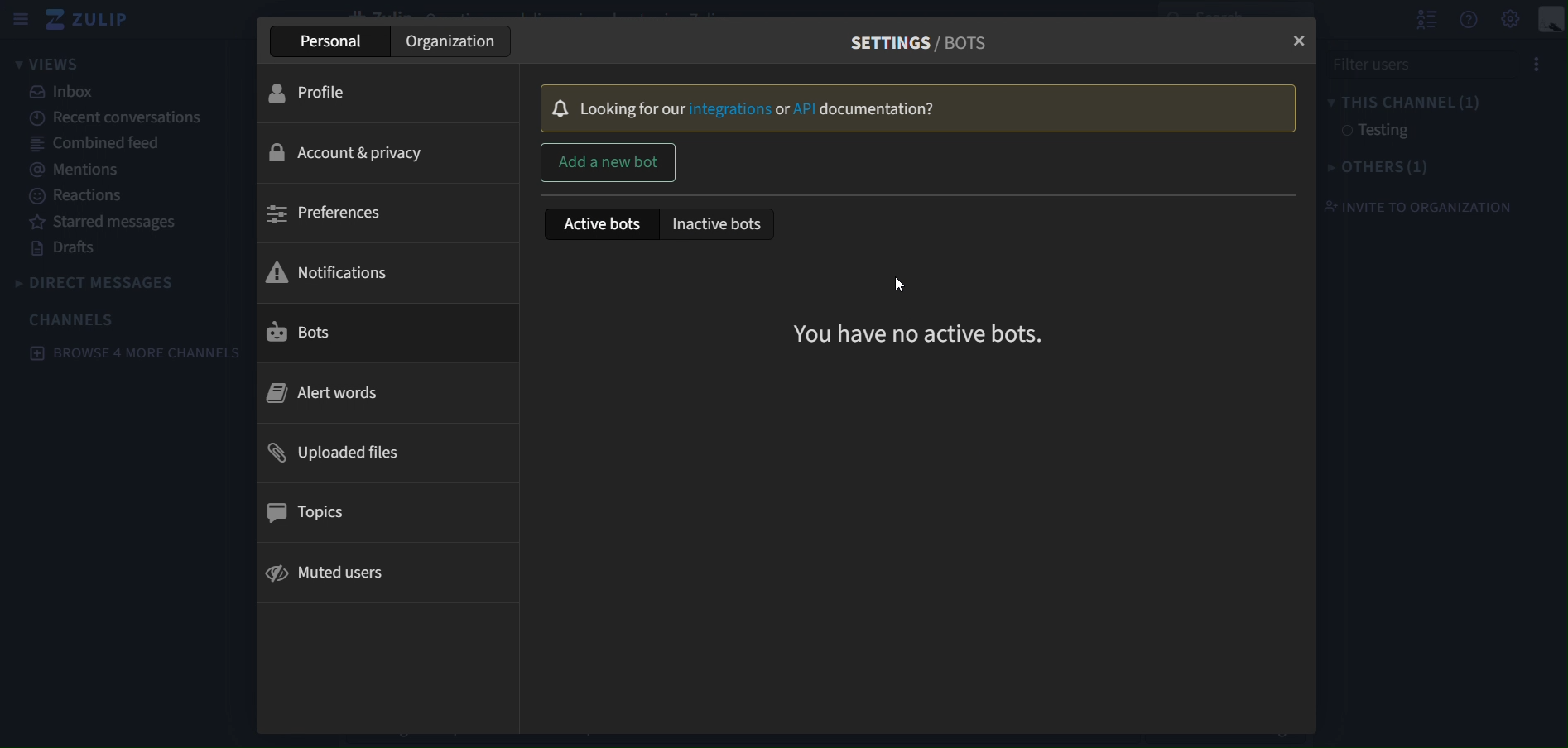 The height and width of the screenshot is (748, 1568). I want to click on views, so click(62, 63).